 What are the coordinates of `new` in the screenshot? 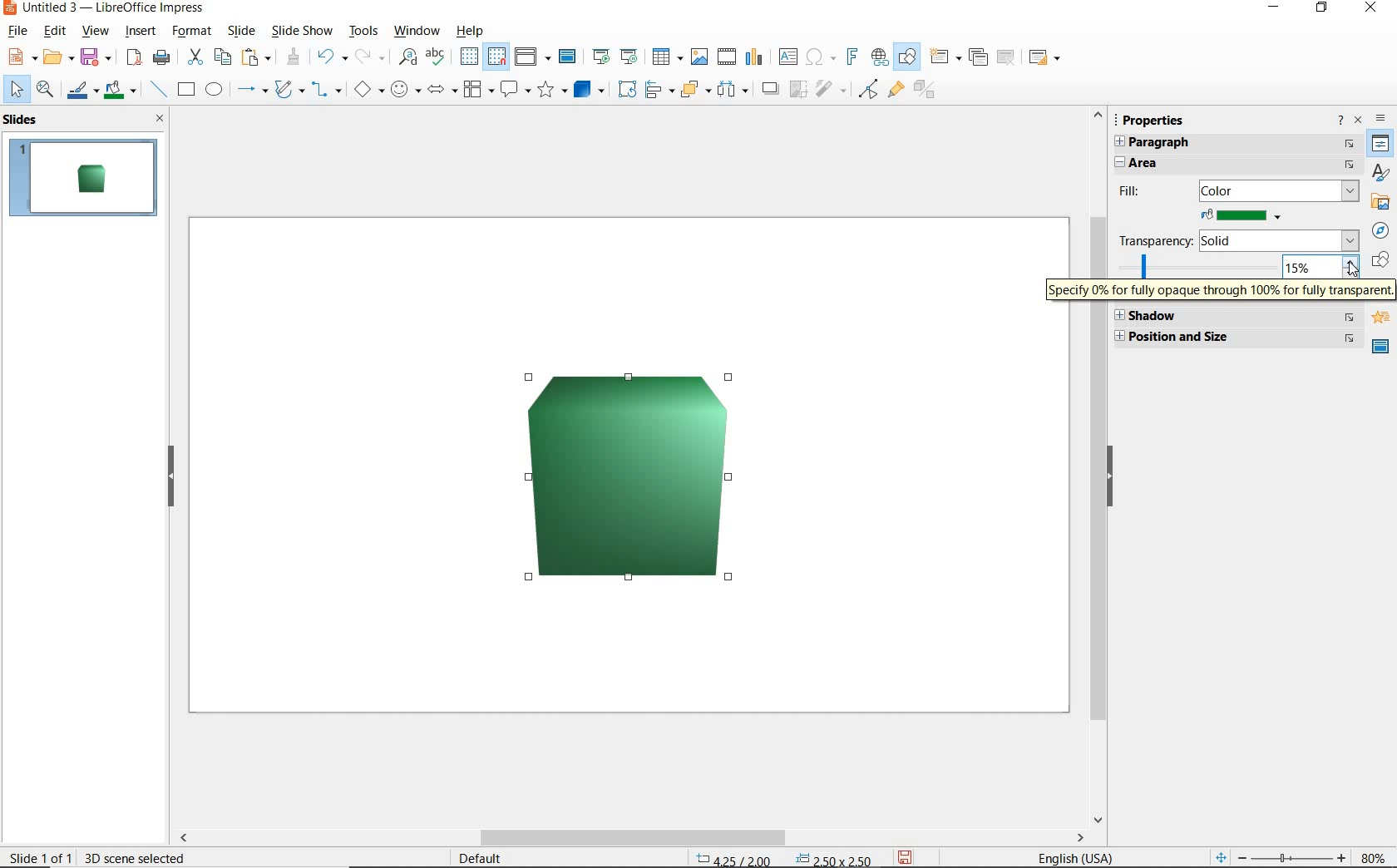 It's located at (21, 57).